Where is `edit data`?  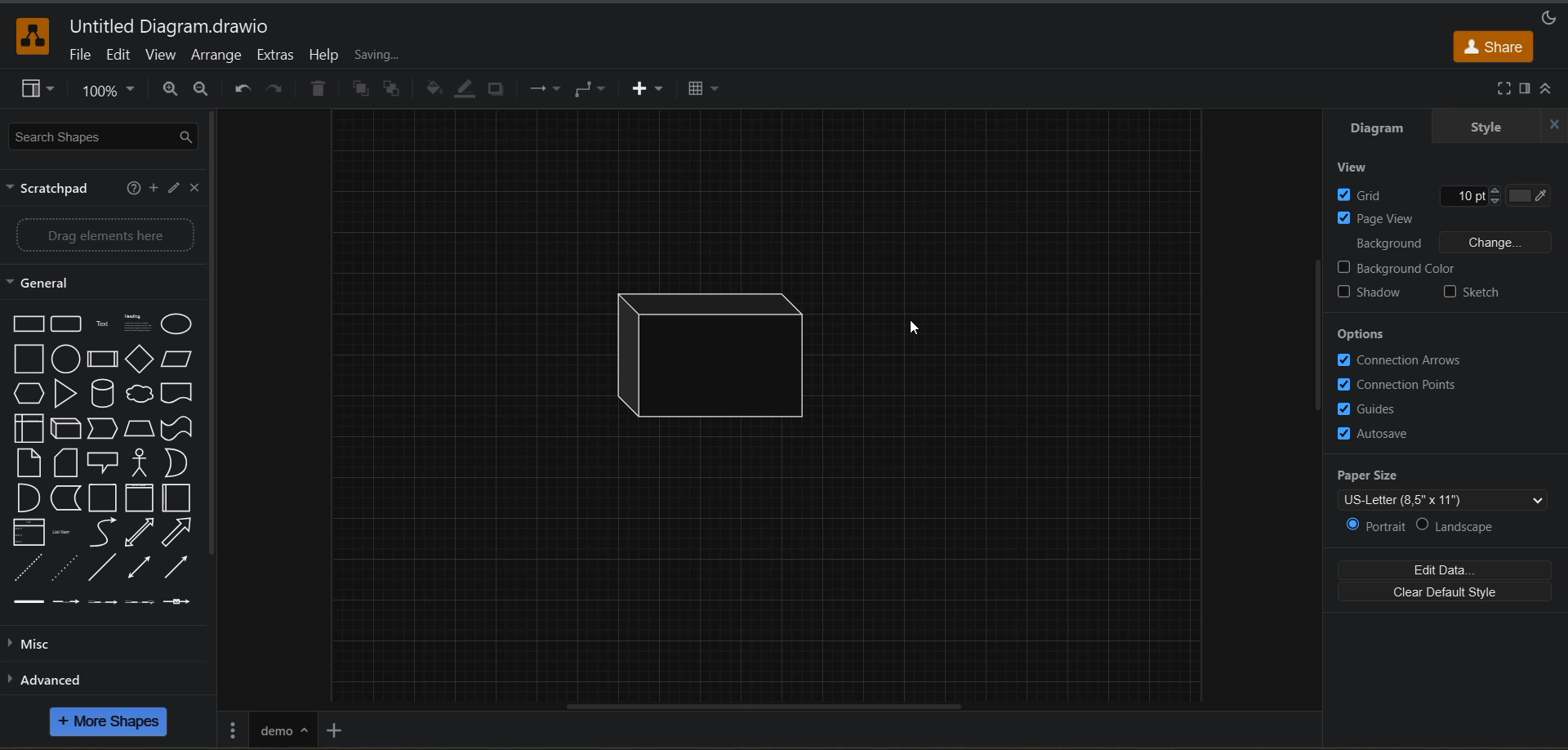 edit data is located at coordinates (1449, 569).